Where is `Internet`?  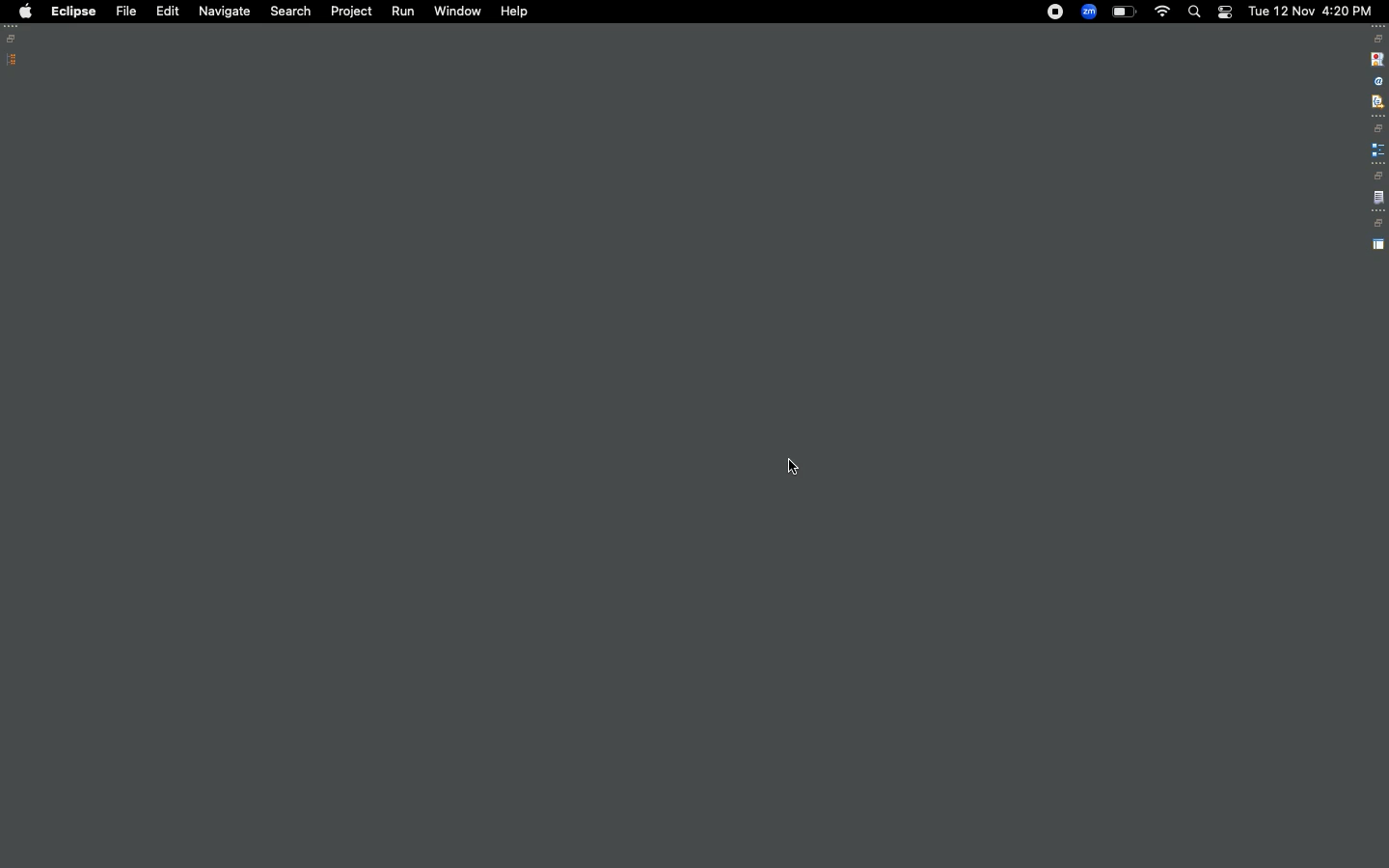
Internet is located at coordinates (1162, 14).